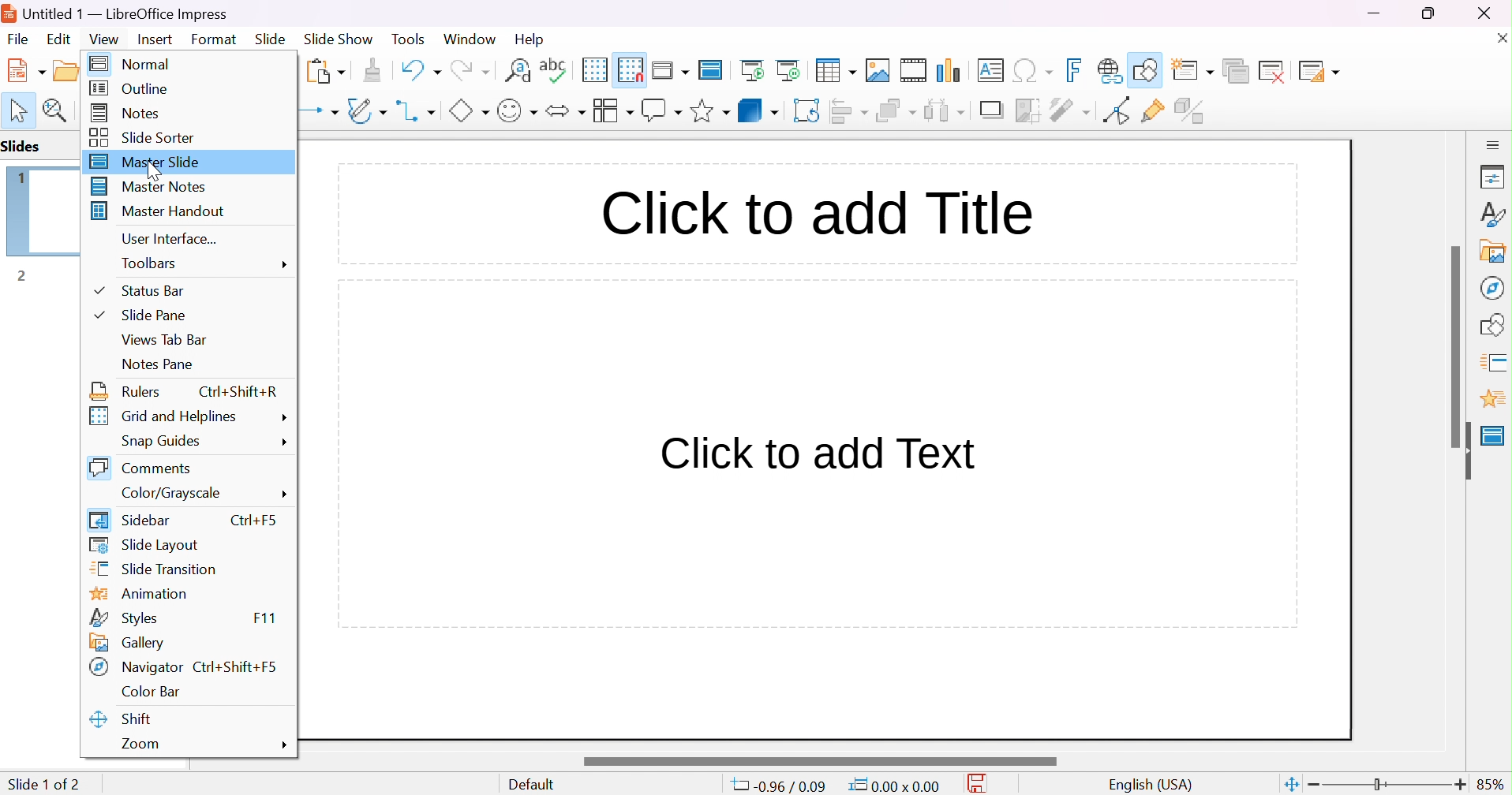  I want to click on styles, so click(121, 616).